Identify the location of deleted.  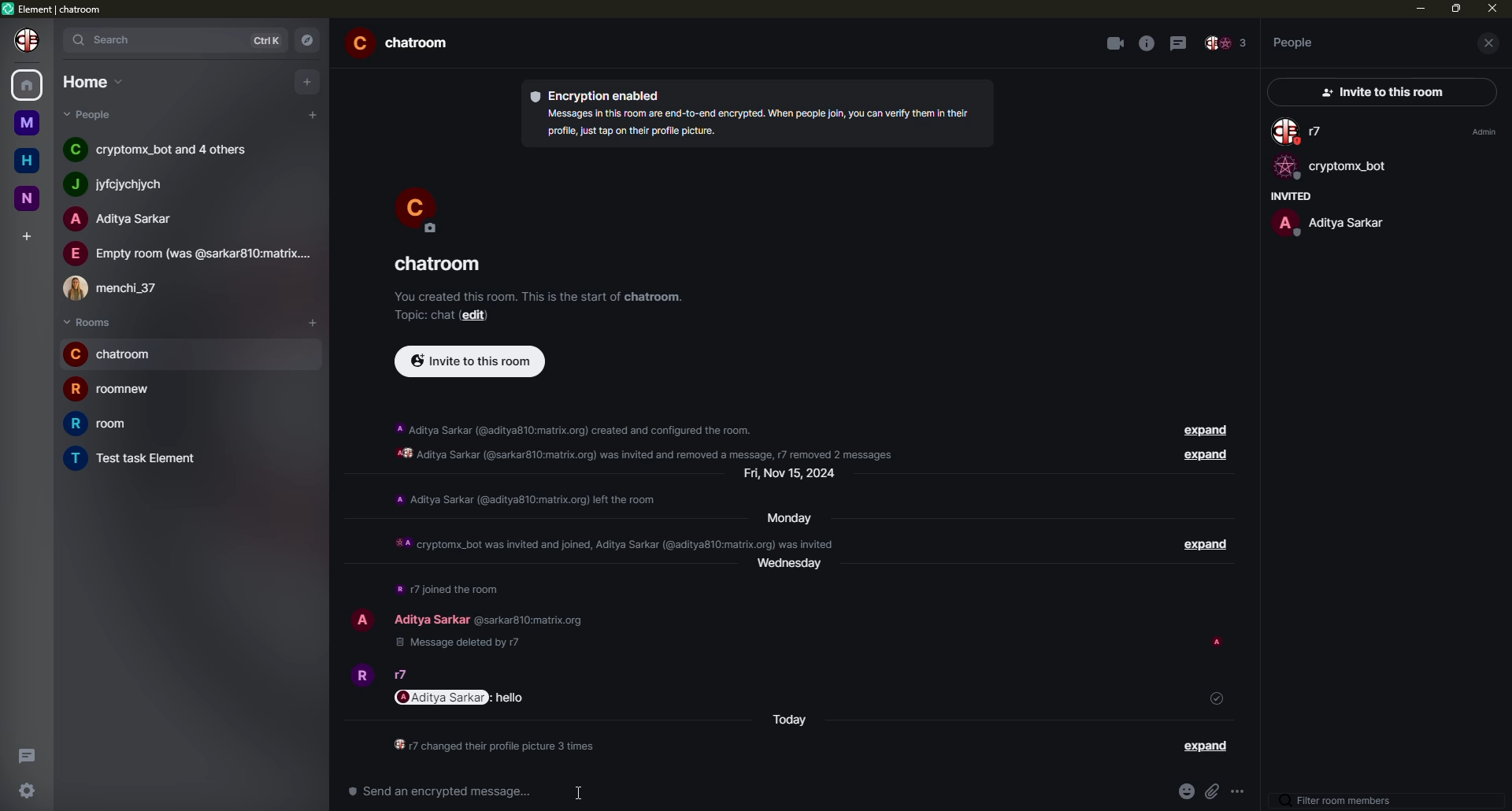
(455, 643).